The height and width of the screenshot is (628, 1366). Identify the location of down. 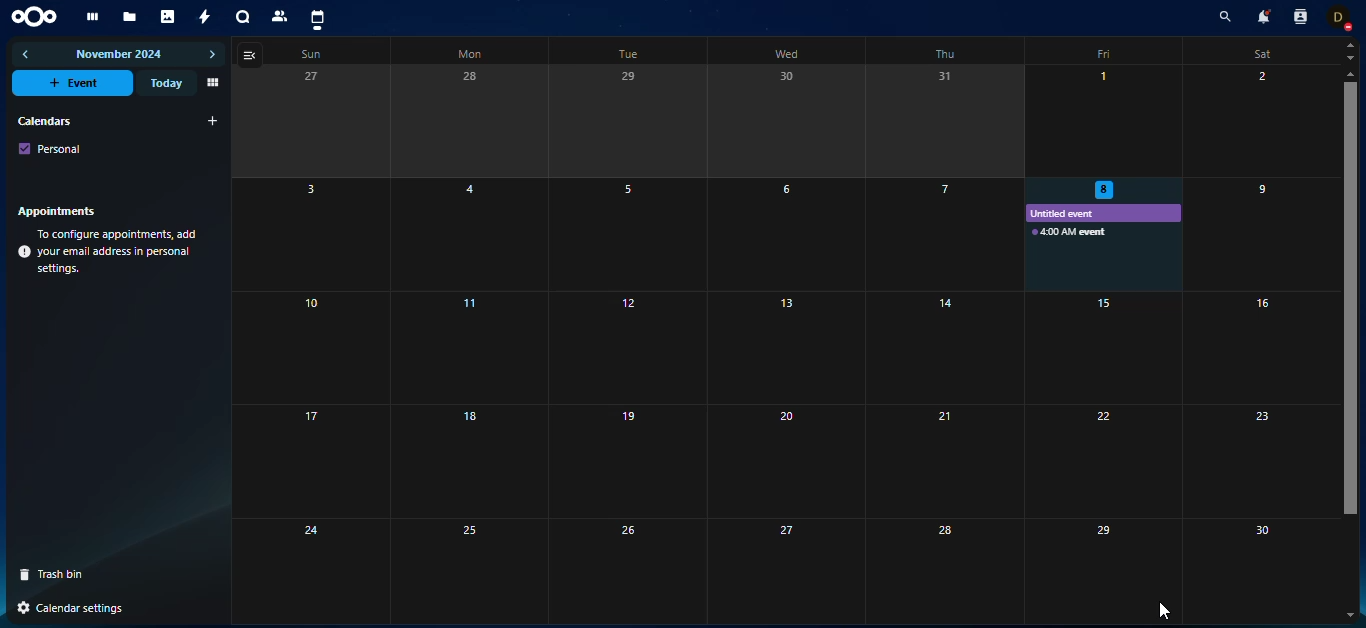
(1350, 57).